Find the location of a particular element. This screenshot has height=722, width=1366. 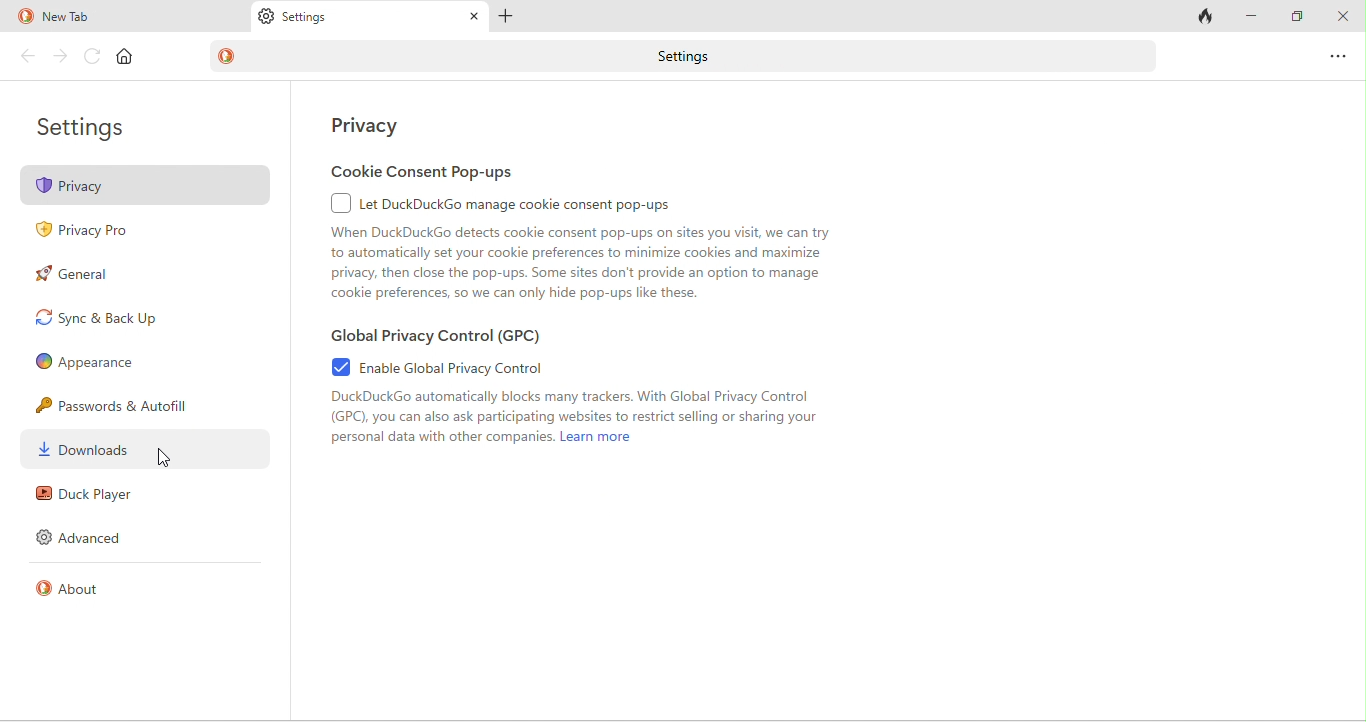

advanced is located at coordinates (82, 538).